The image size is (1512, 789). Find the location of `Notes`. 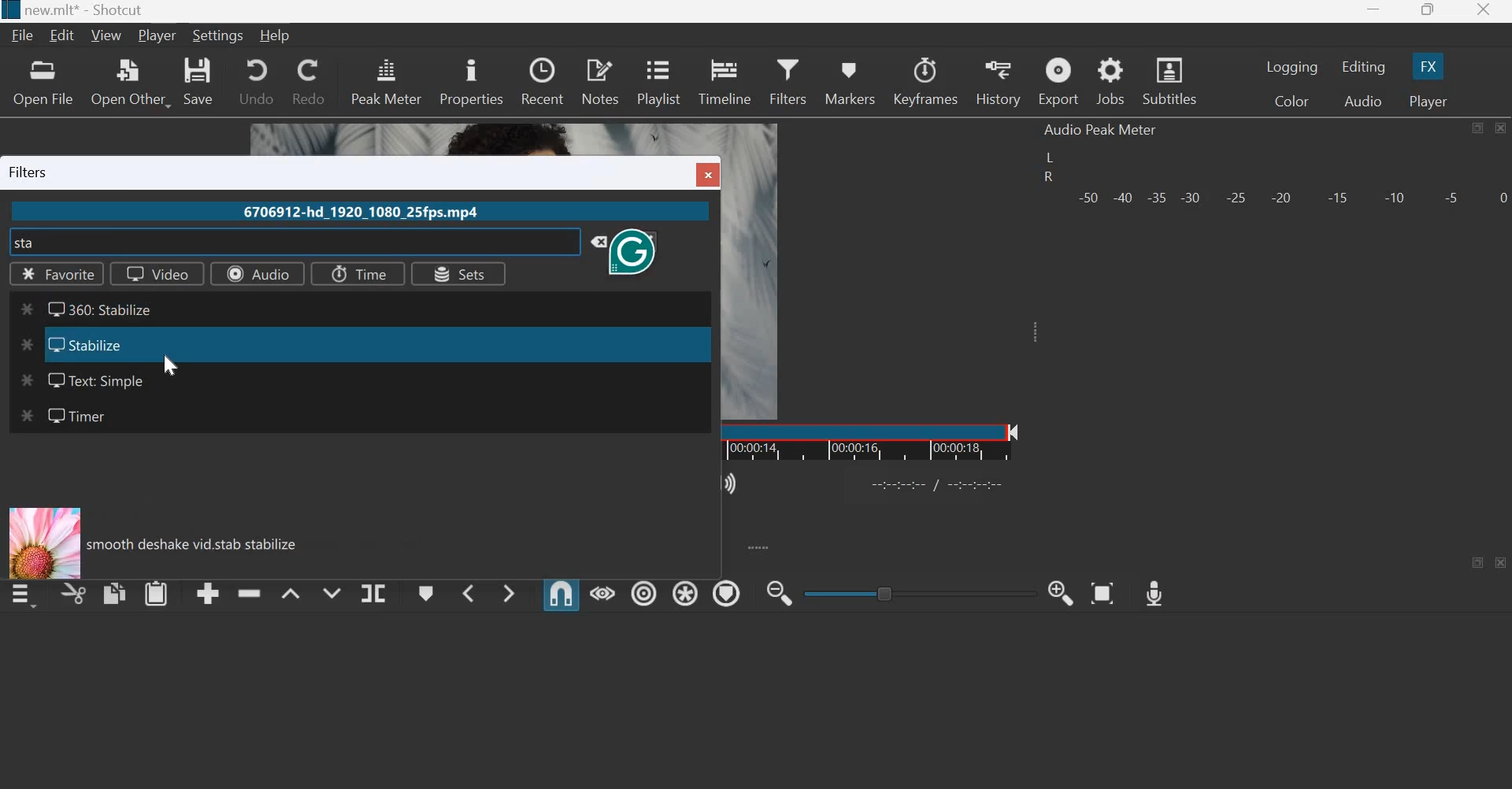

Notes is located at coordinates (600, 81).